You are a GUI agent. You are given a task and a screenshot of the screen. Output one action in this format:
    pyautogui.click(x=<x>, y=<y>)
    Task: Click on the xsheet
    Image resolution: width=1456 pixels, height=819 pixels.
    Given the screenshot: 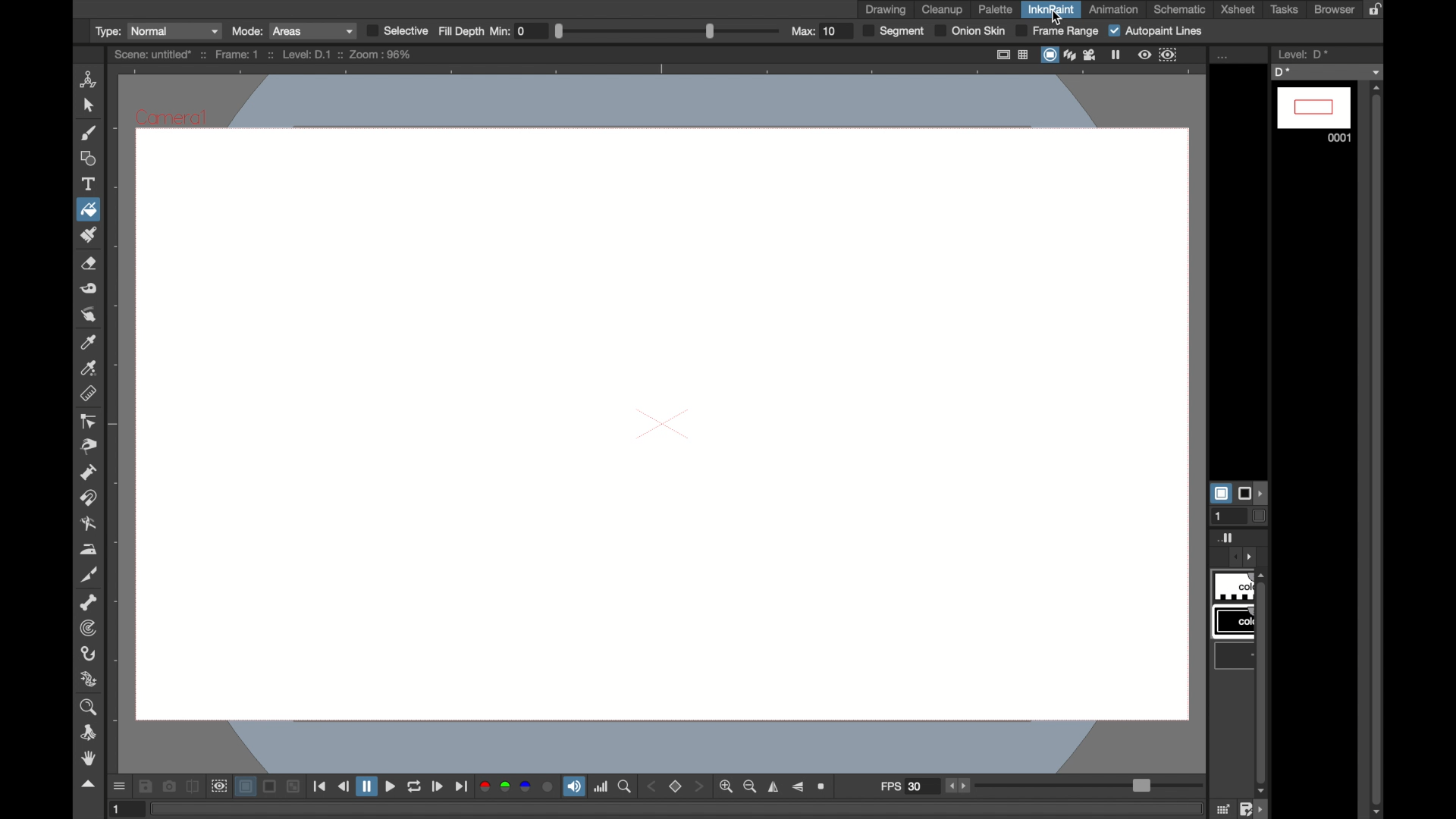 What is the action you would take?
    pyautogui.click(x=1238, y=9)
    